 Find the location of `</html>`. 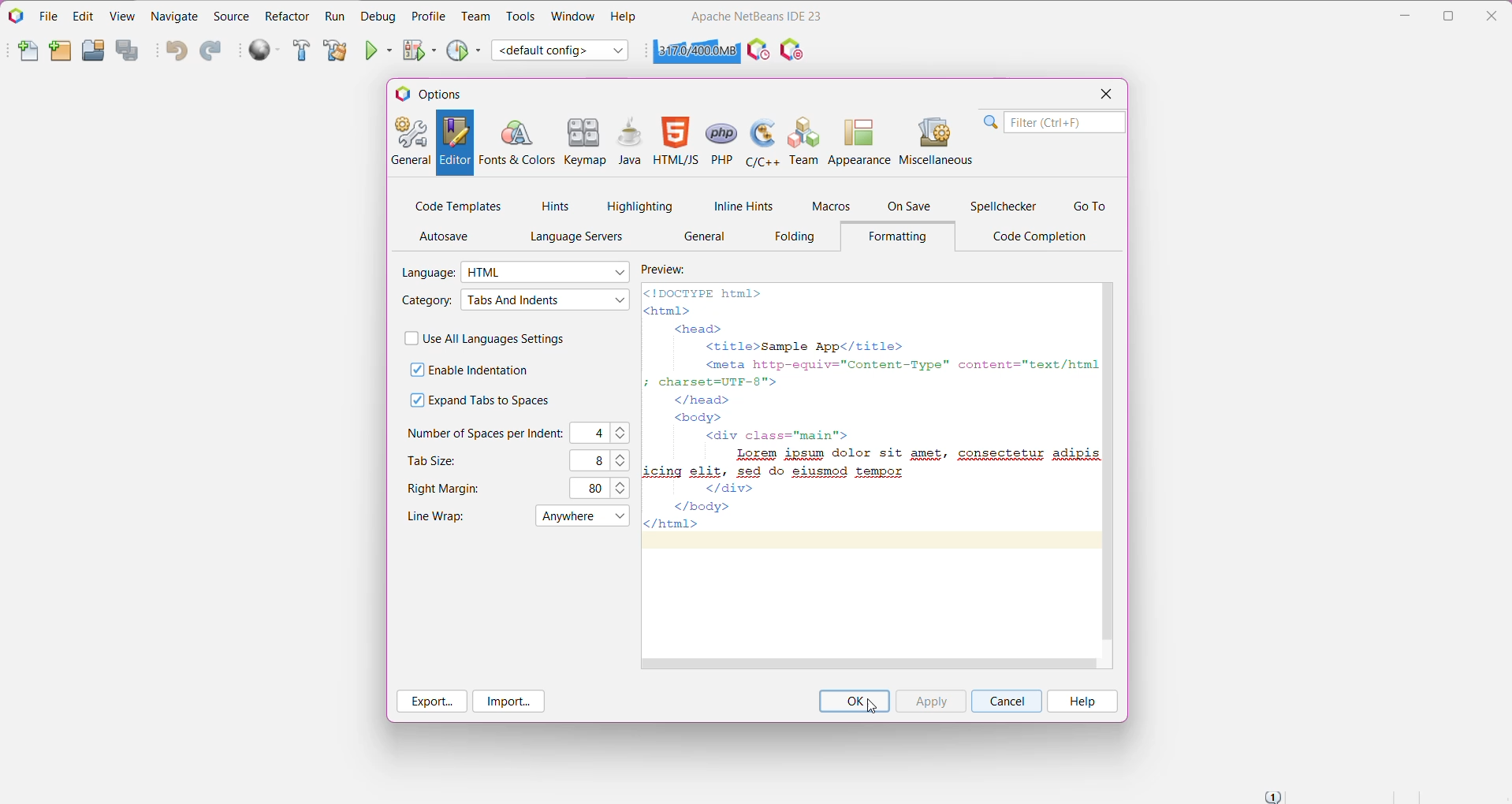

</html> is located at coordinates (672, 524).